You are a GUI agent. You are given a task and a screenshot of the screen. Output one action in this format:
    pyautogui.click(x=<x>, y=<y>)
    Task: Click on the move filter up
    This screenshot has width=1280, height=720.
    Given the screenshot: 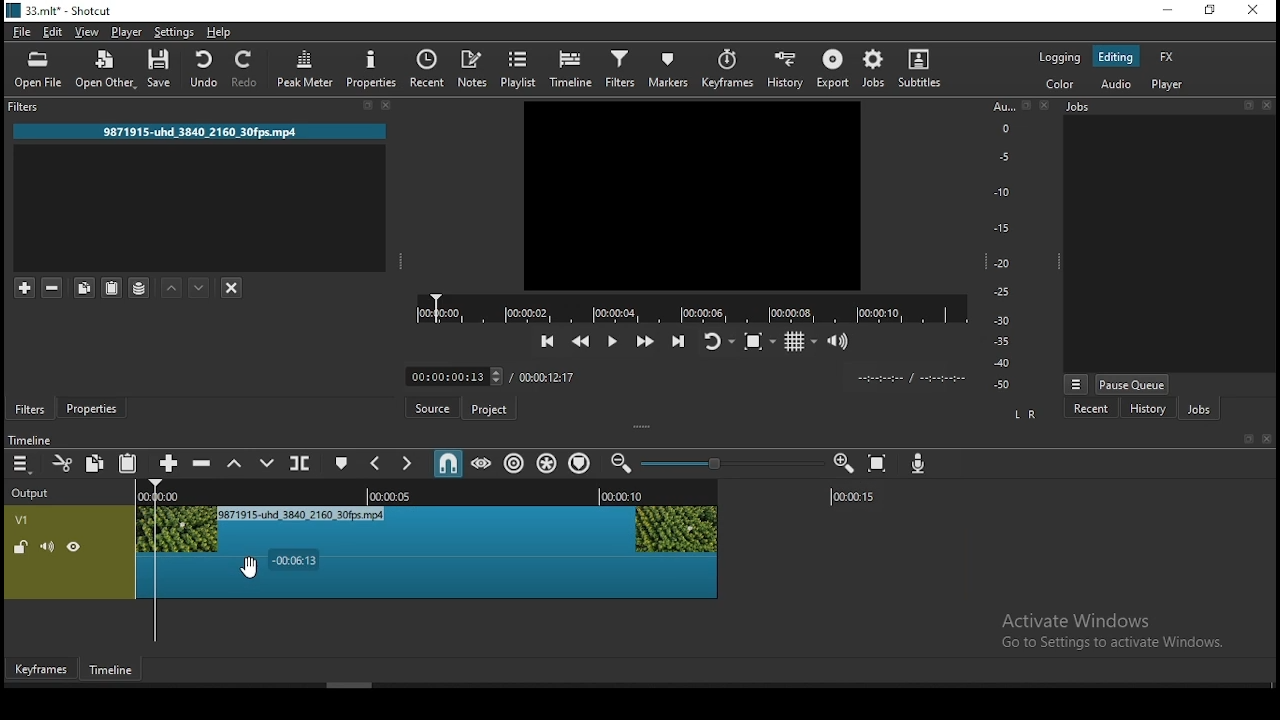 What is the action you would take?
    pyautogui.click(x=170, y=288)
    